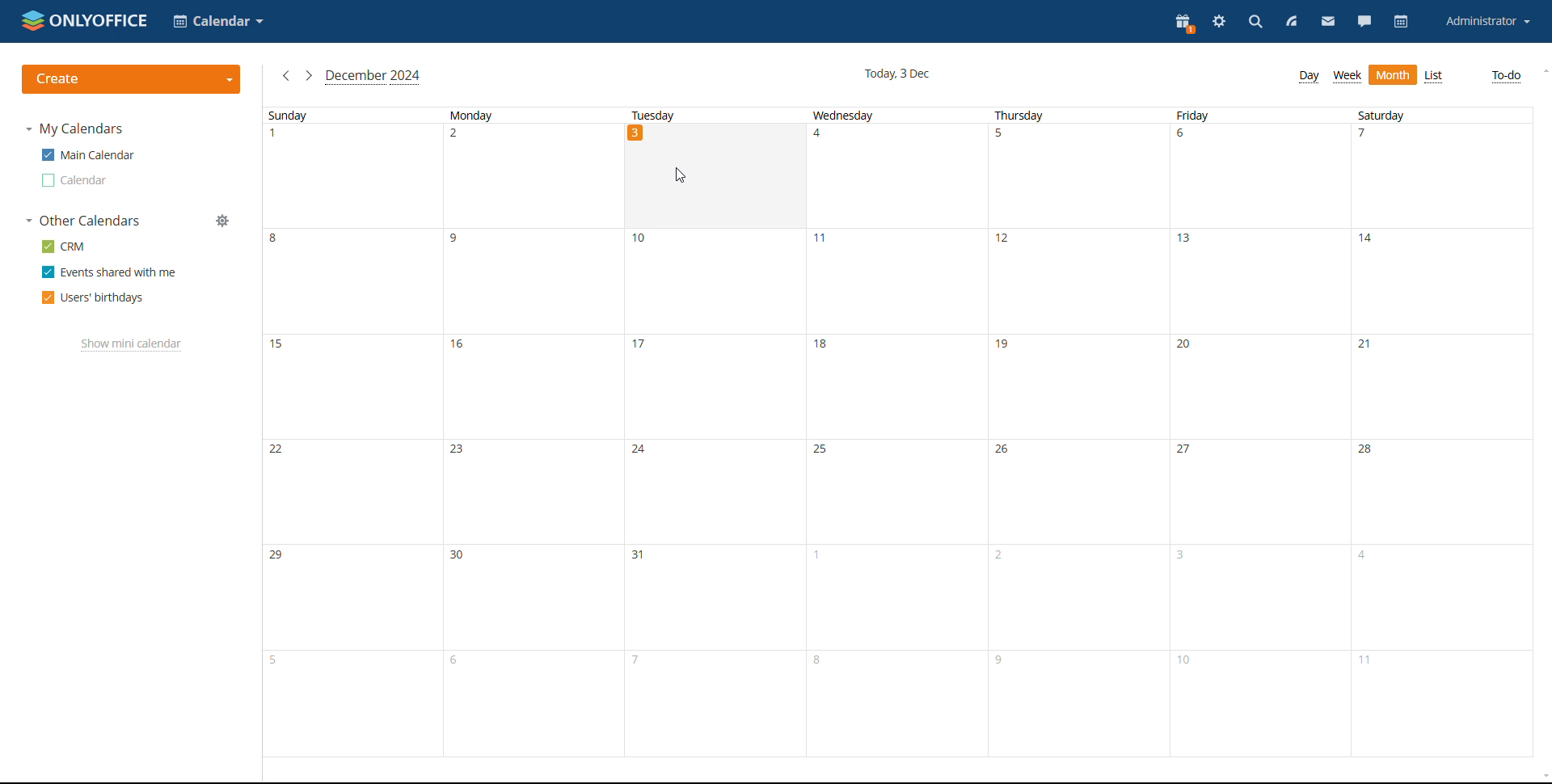  Describe the element at coordinates (1508, 77) in the screenshot. I see `to-do` at that location.